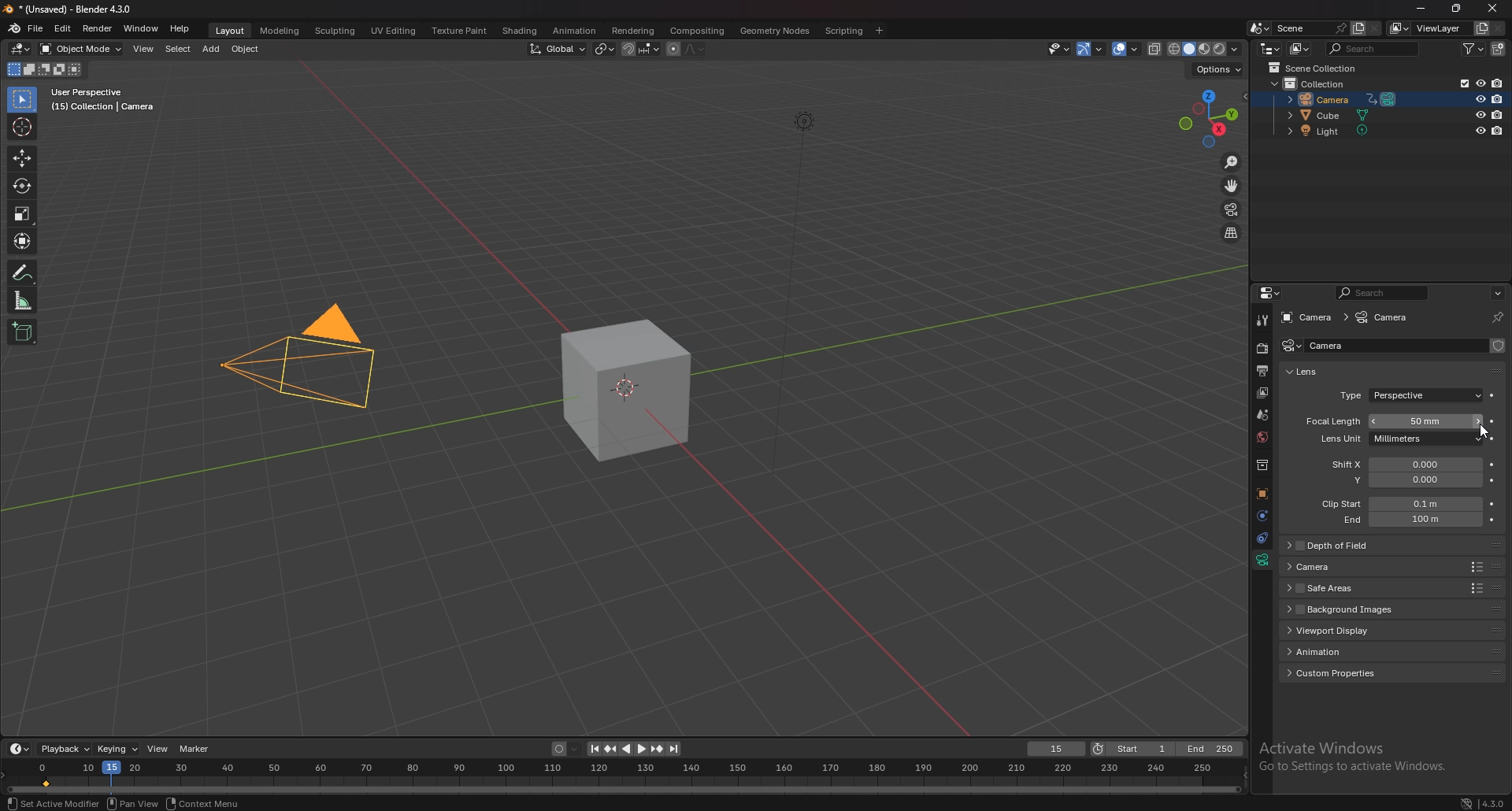 This screenshot has width=1512, height=811. What do you see at coordinates (1493, 439) in the screenshot?
I see `animate property` at bounding box center [1493, 439].